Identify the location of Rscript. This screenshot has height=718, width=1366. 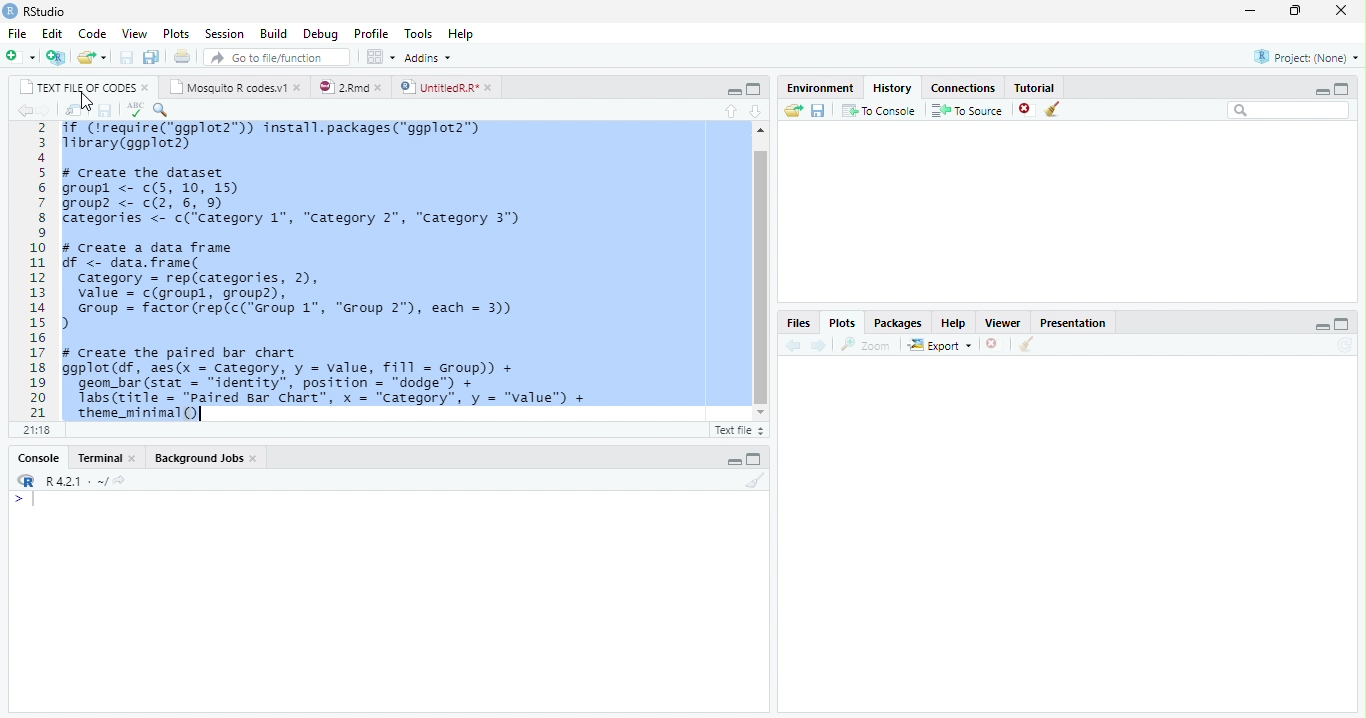
(738, 431).